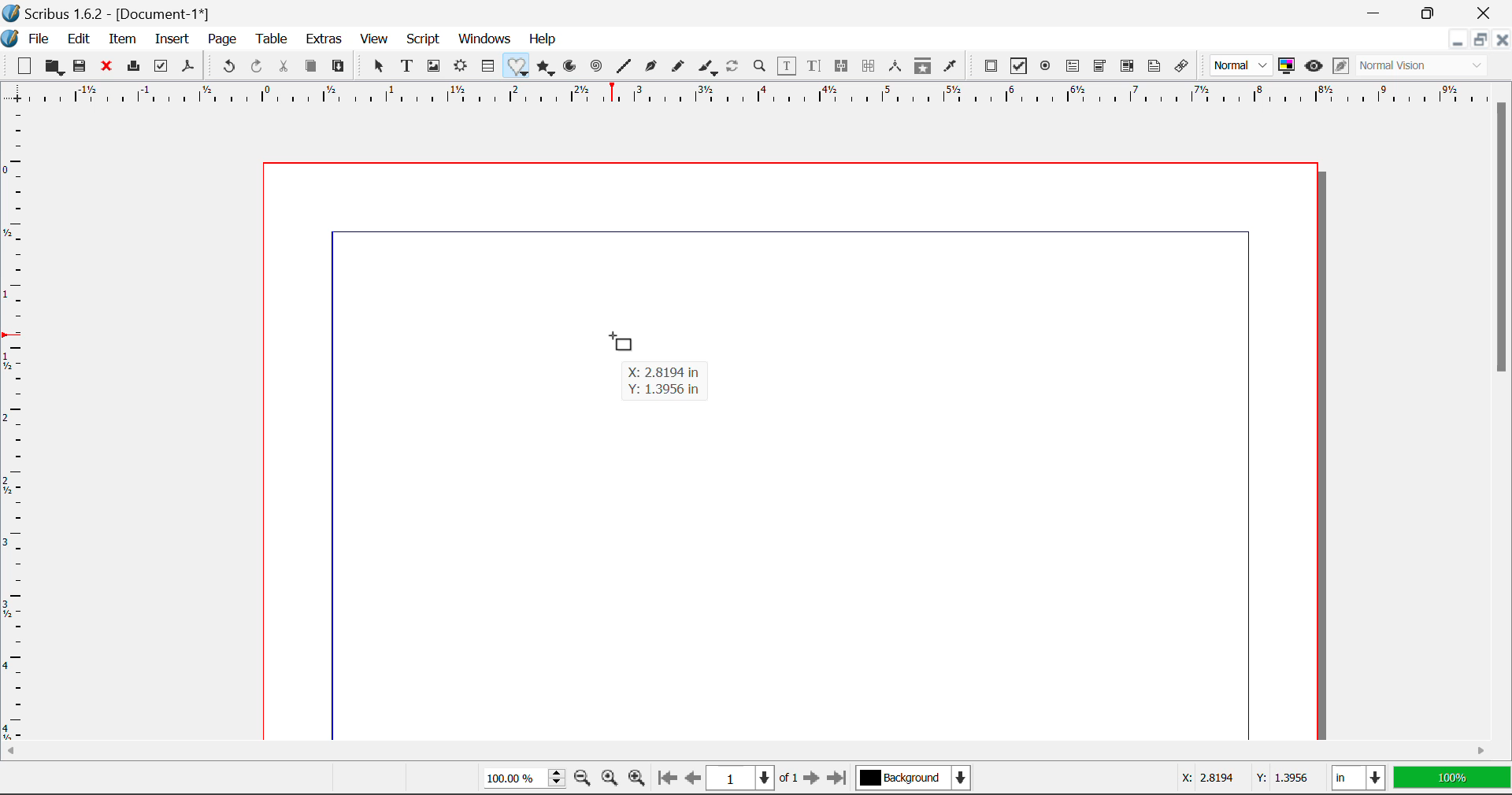 The image size is (1512, 795). Describe the element at coordinates (1358, 778) in the screenshot. I see `Measurement Units` at that location.